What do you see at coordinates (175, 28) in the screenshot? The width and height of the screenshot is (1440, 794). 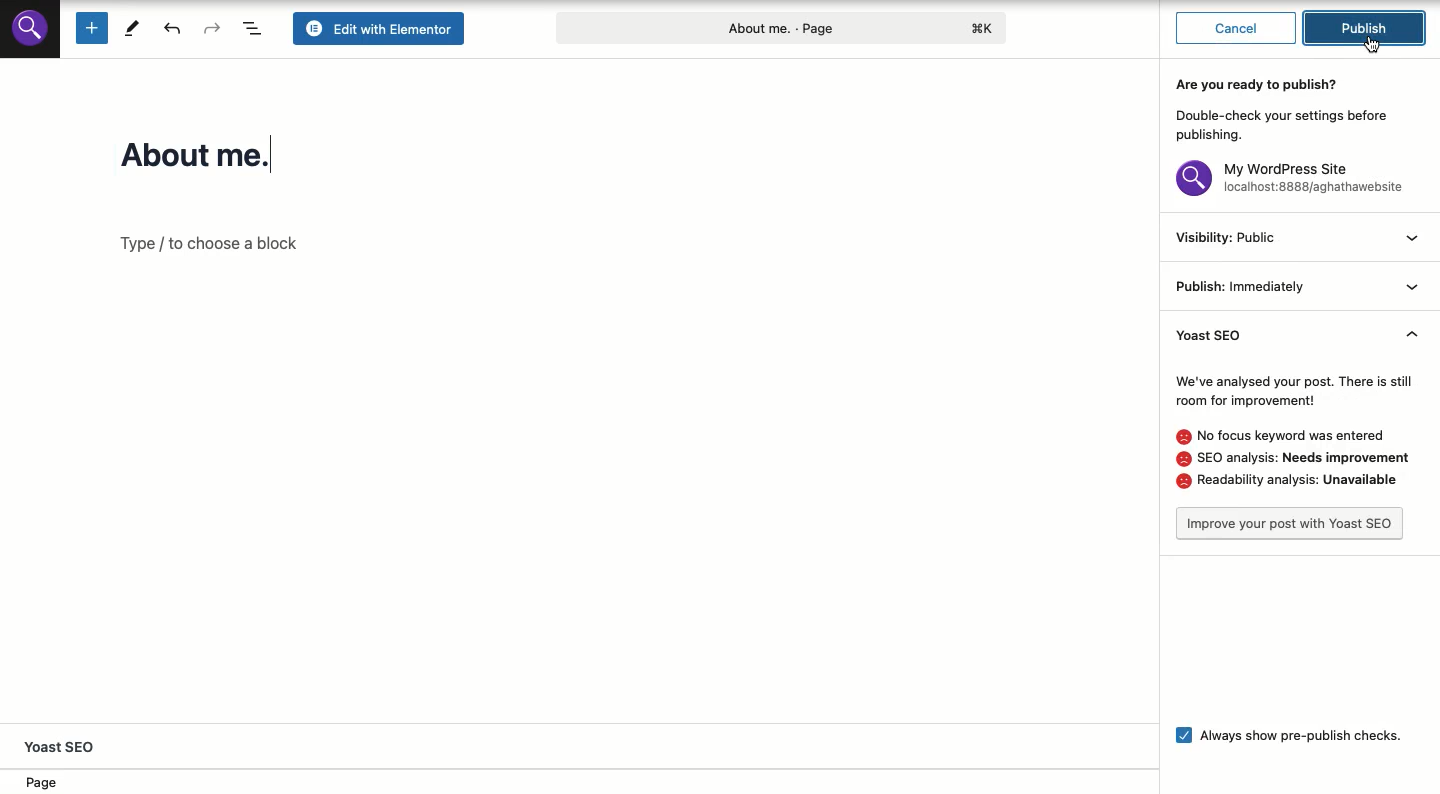 I see `Undo` at bounding box center [175, 28].